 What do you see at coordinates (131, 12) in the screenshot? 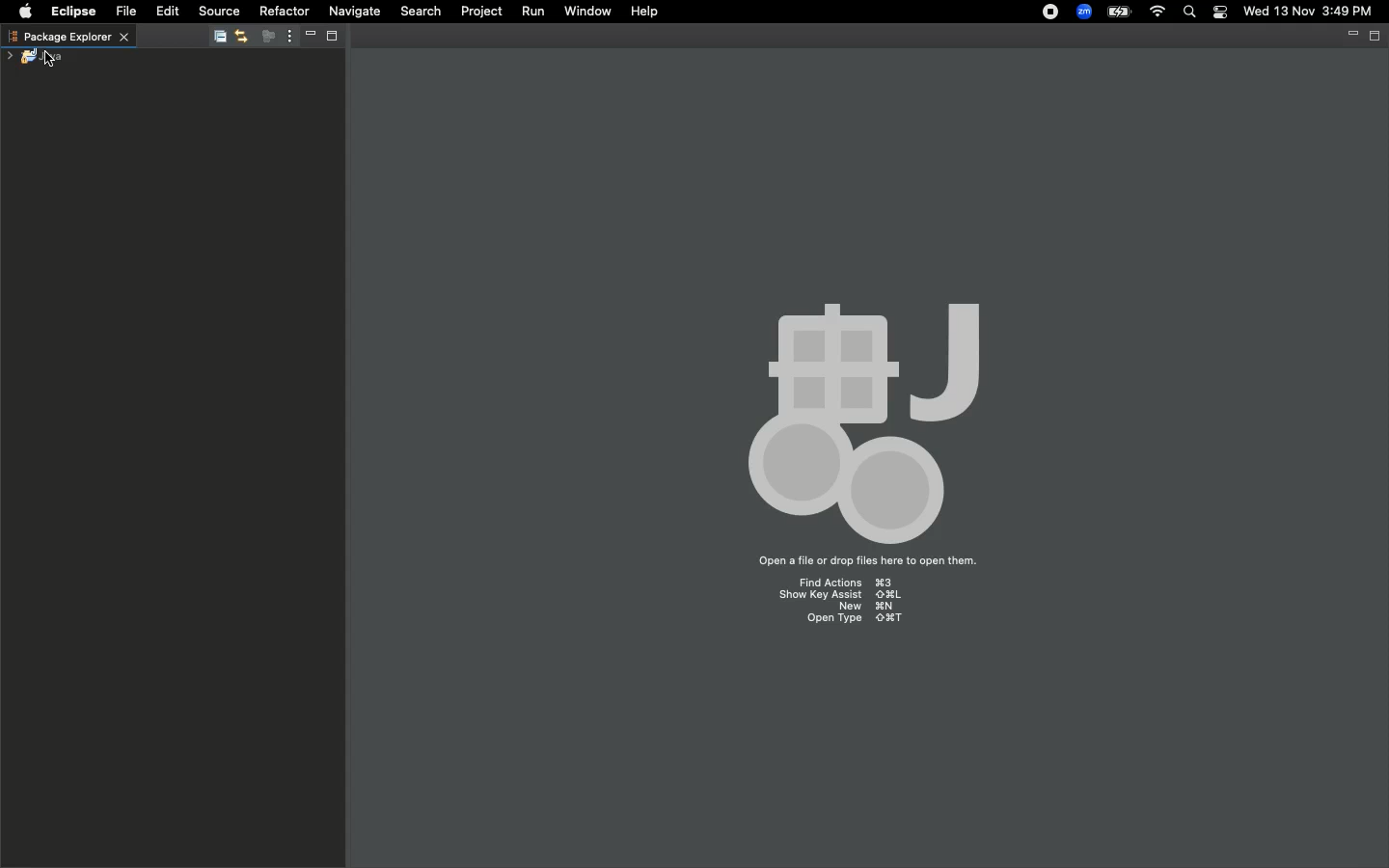
I see `File` at bounding box center [131, 12].